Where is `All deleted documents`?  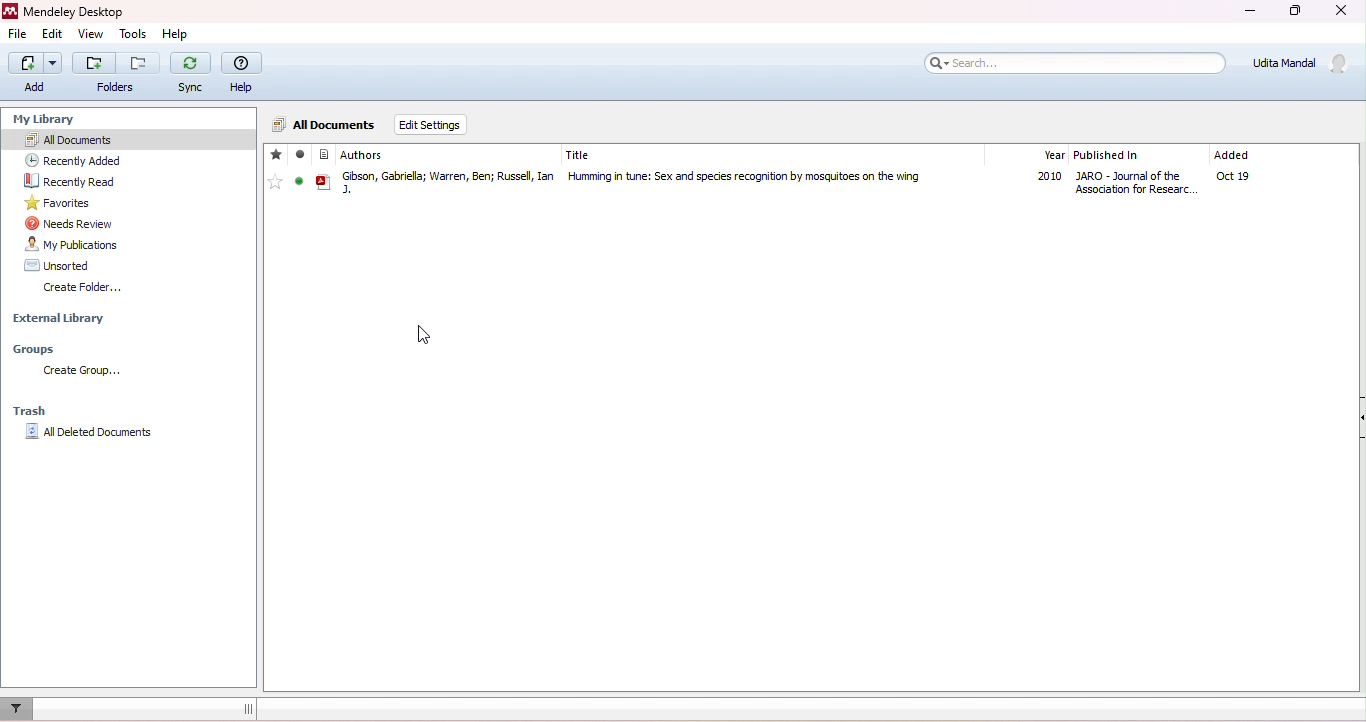
All deleted documents is located at coordinates (92, 432).